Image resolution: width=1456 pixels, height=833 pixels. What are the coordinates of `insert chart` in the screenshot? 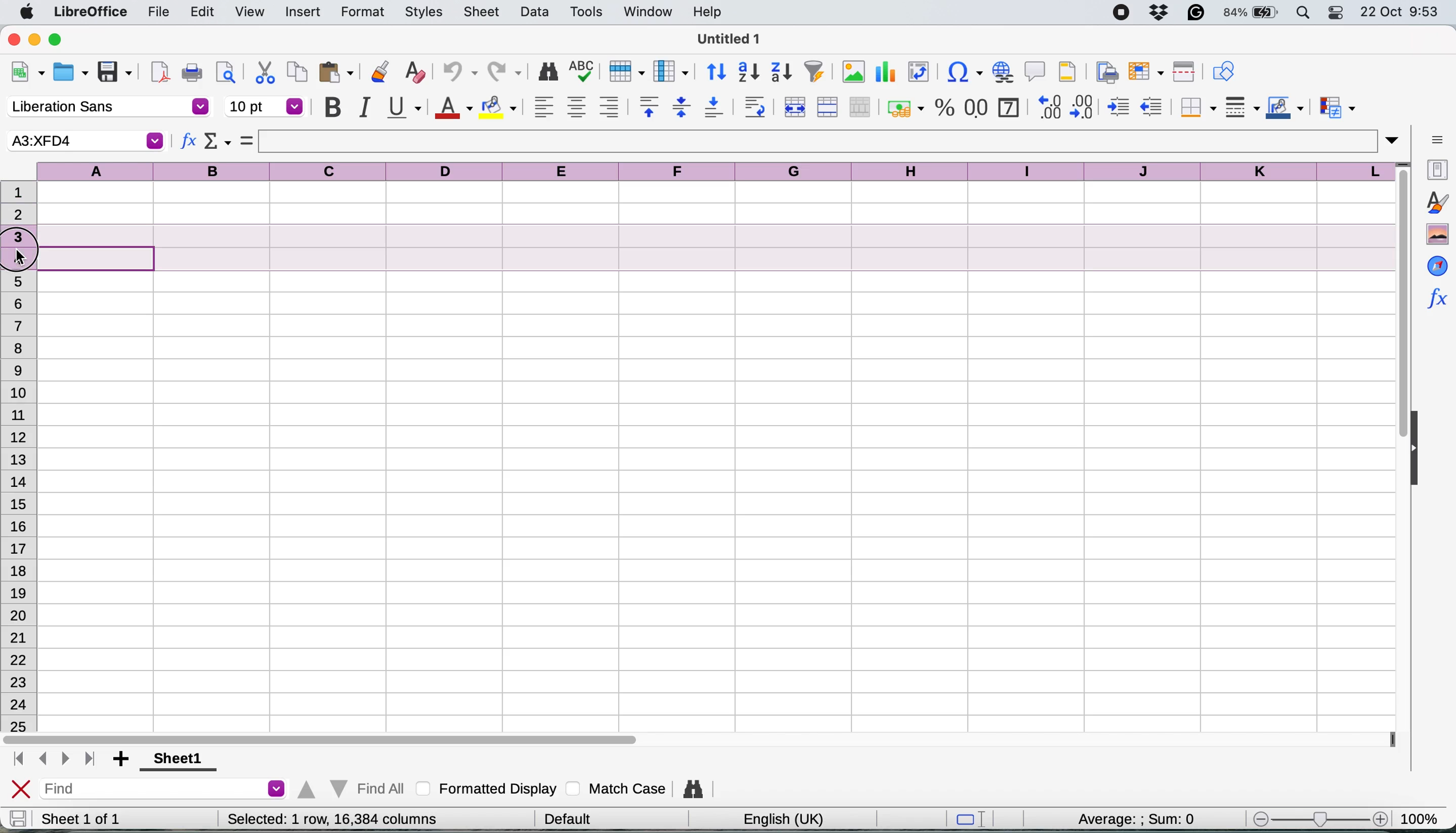 It's located at (884, 74).